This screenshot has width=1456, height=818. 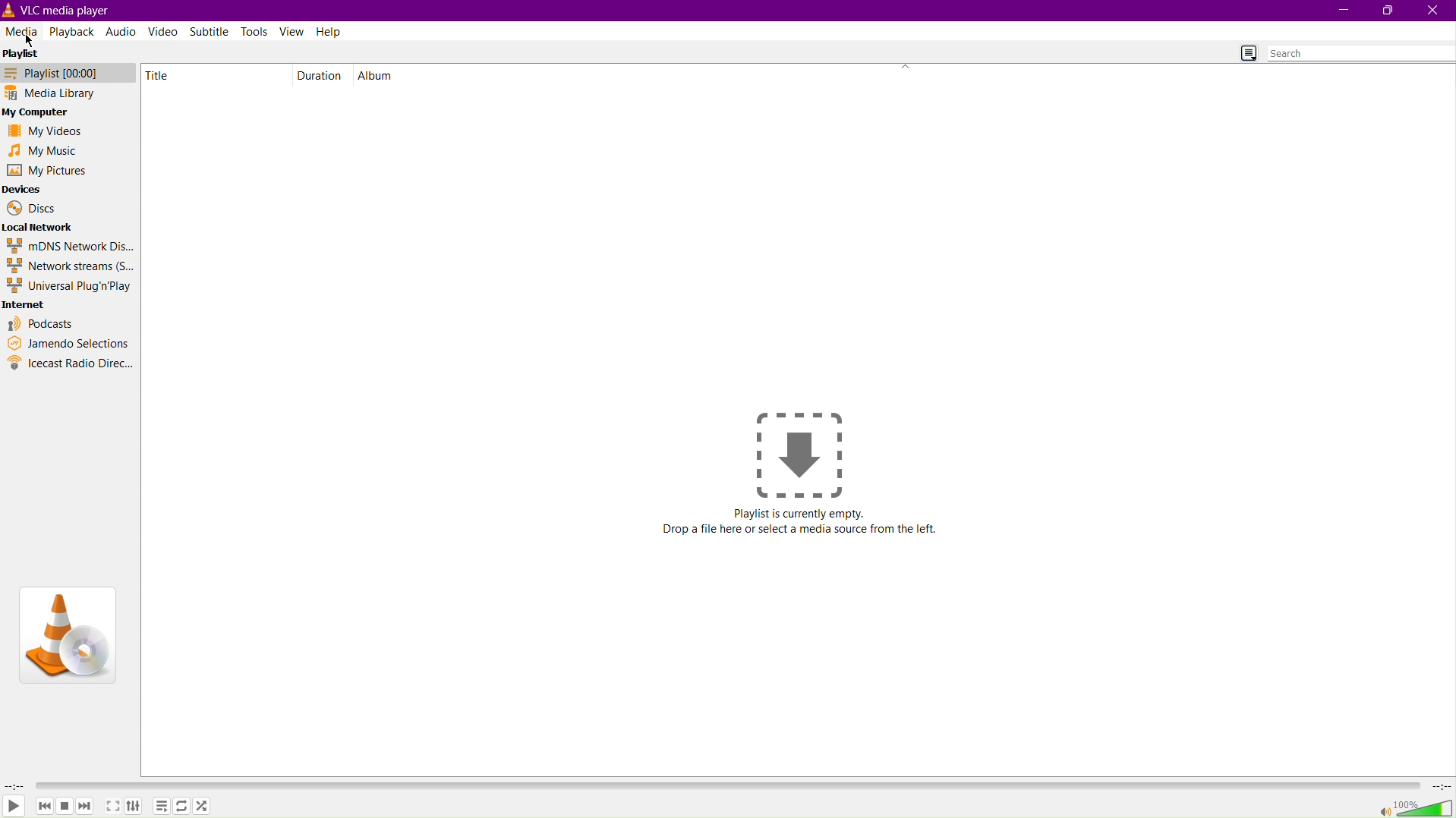 What do you see at coordinates (32, 209) in the screenshot?
I see `Discs` at bounding box center [32, 209].